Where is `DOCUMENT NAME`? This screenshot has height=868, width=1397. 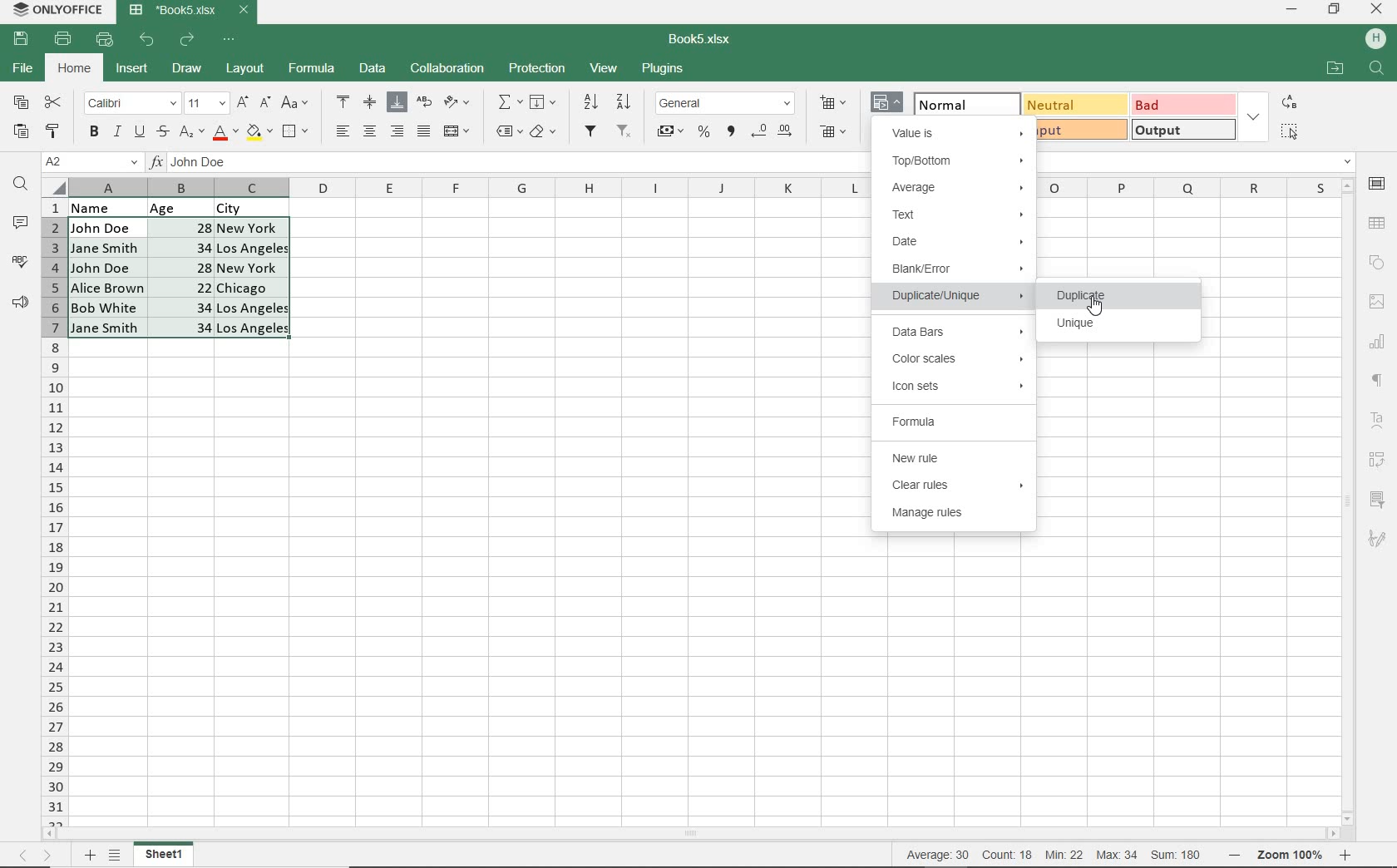
DOCUMENT NAME is located at coordinates (190, 11).